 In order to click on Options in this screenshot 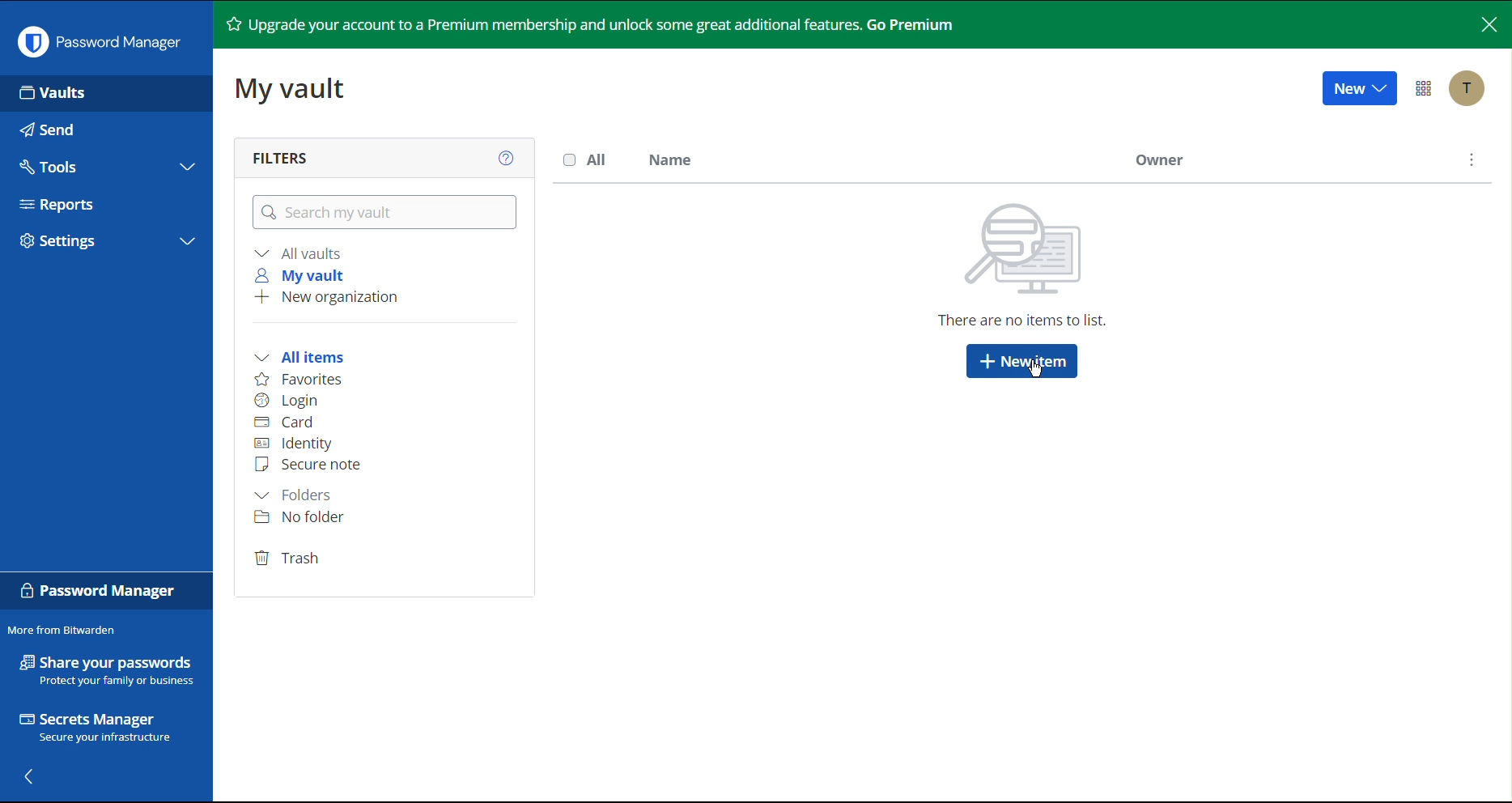, I will do `click(1426, 87)`.